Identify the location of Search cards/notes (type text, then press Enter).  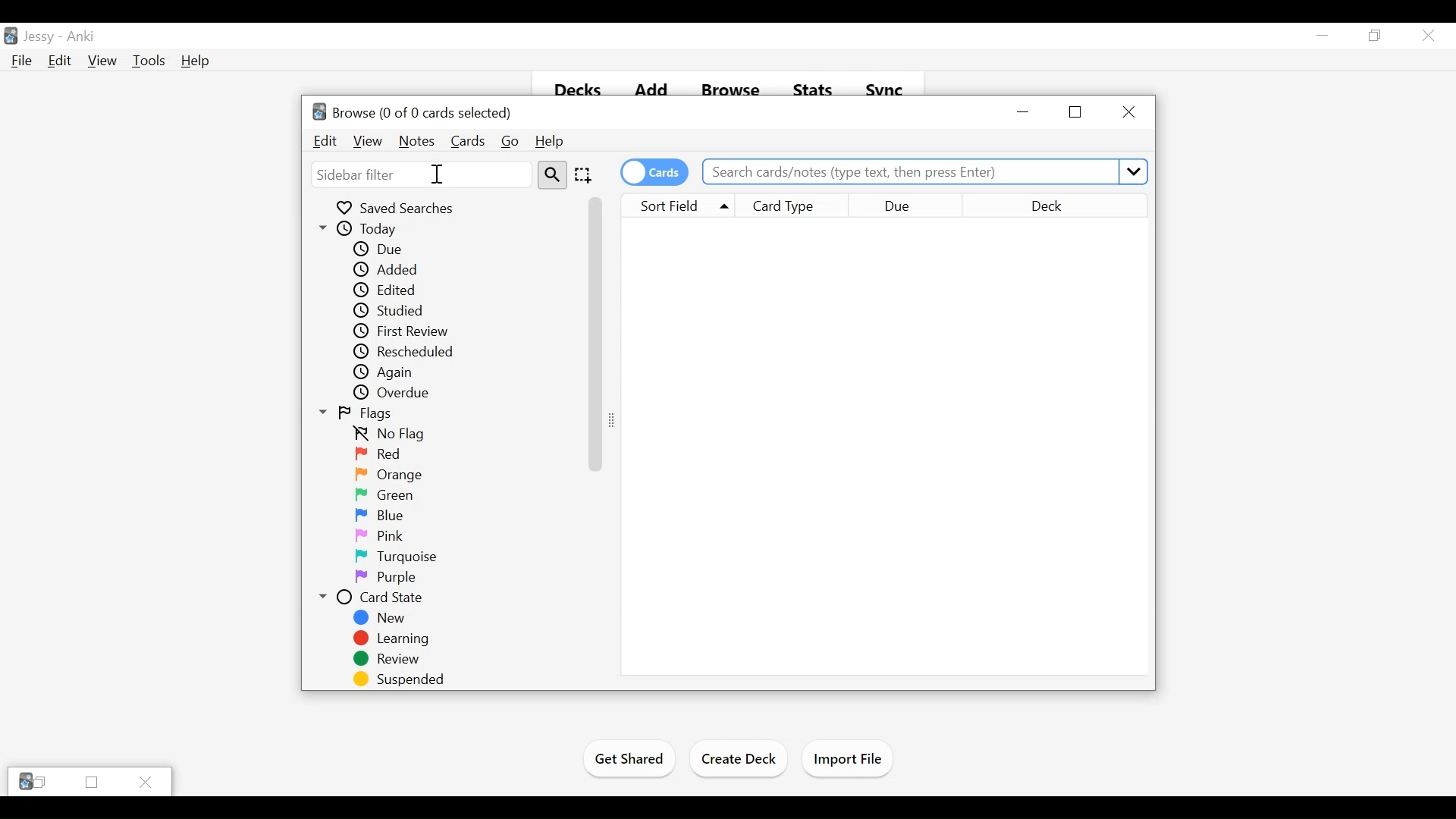
(924, 171).